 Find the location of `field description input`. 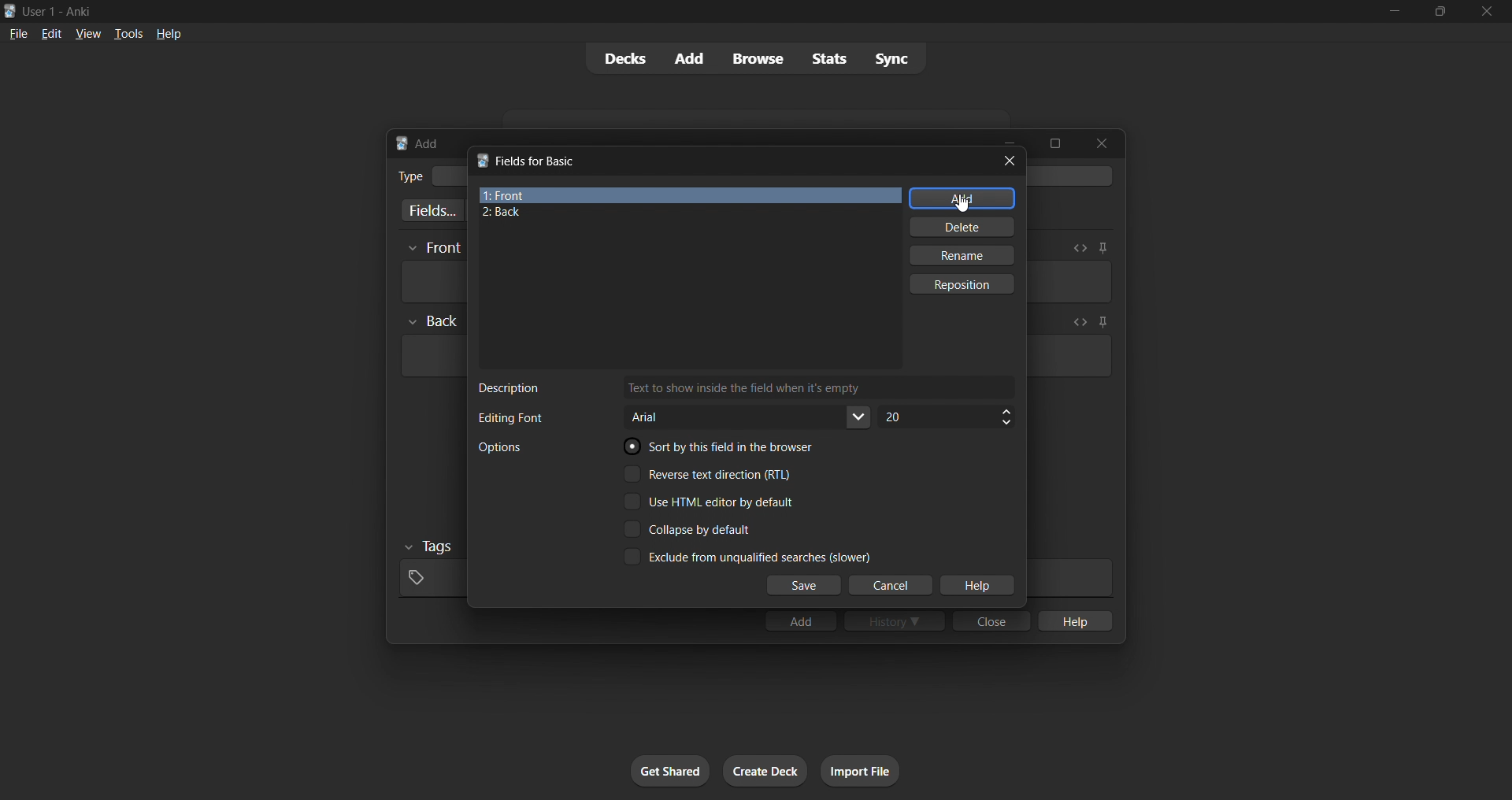

field description input is located at coordinates (820, 388).